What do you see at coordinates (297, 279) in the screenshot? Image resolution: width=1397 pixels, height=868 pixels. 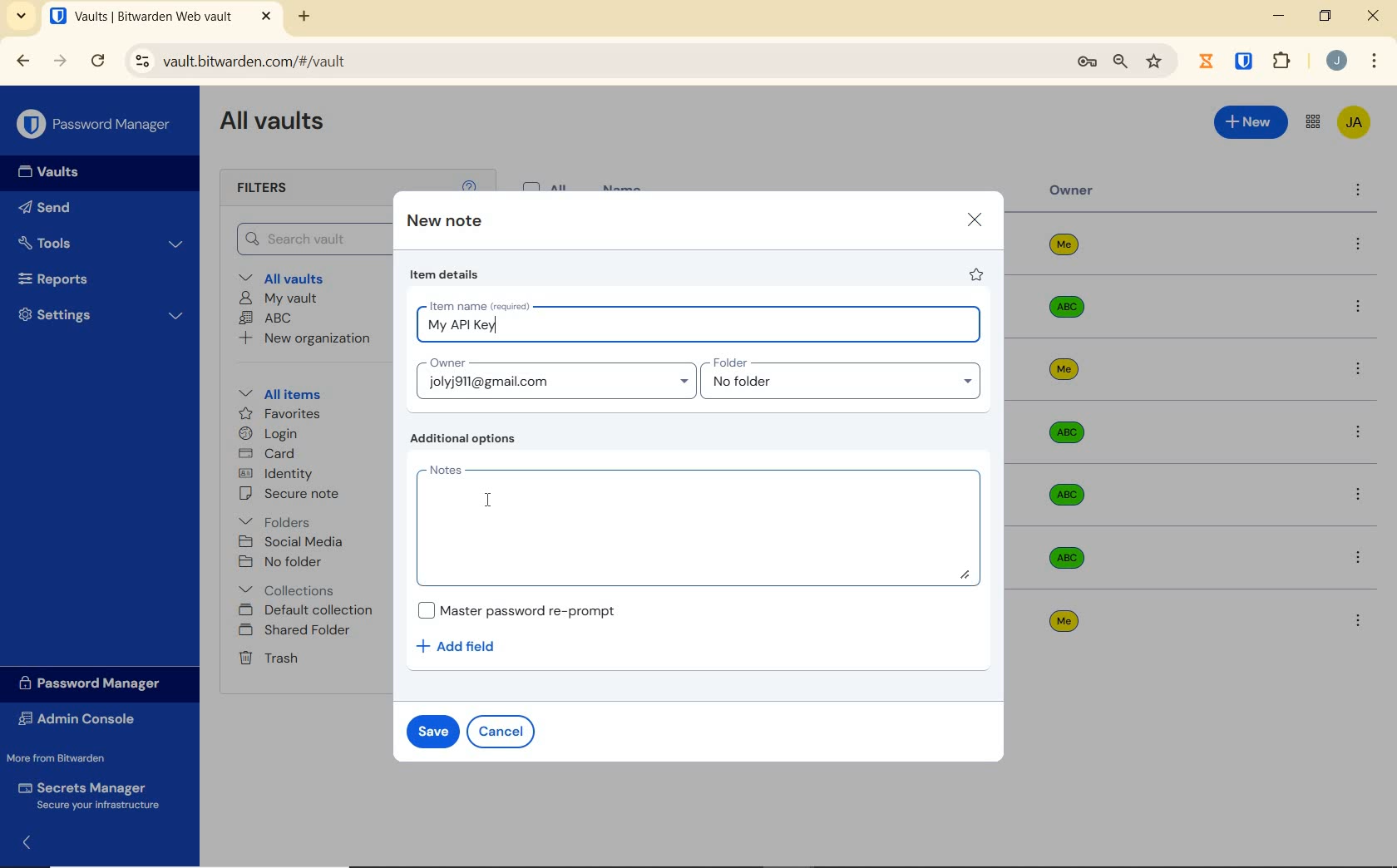 I see `All vaults` at bounding box center [297, 279].